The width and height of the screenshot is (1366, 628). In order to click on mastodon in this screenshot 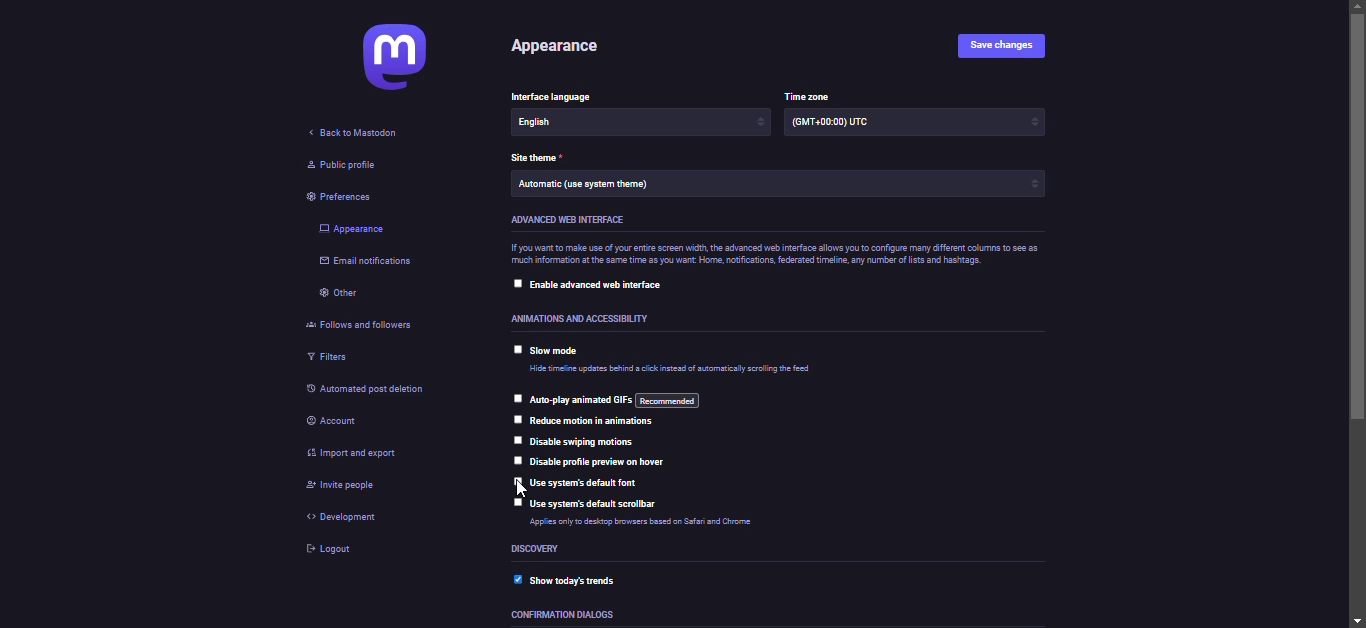, I will do `click(390, 57)`.